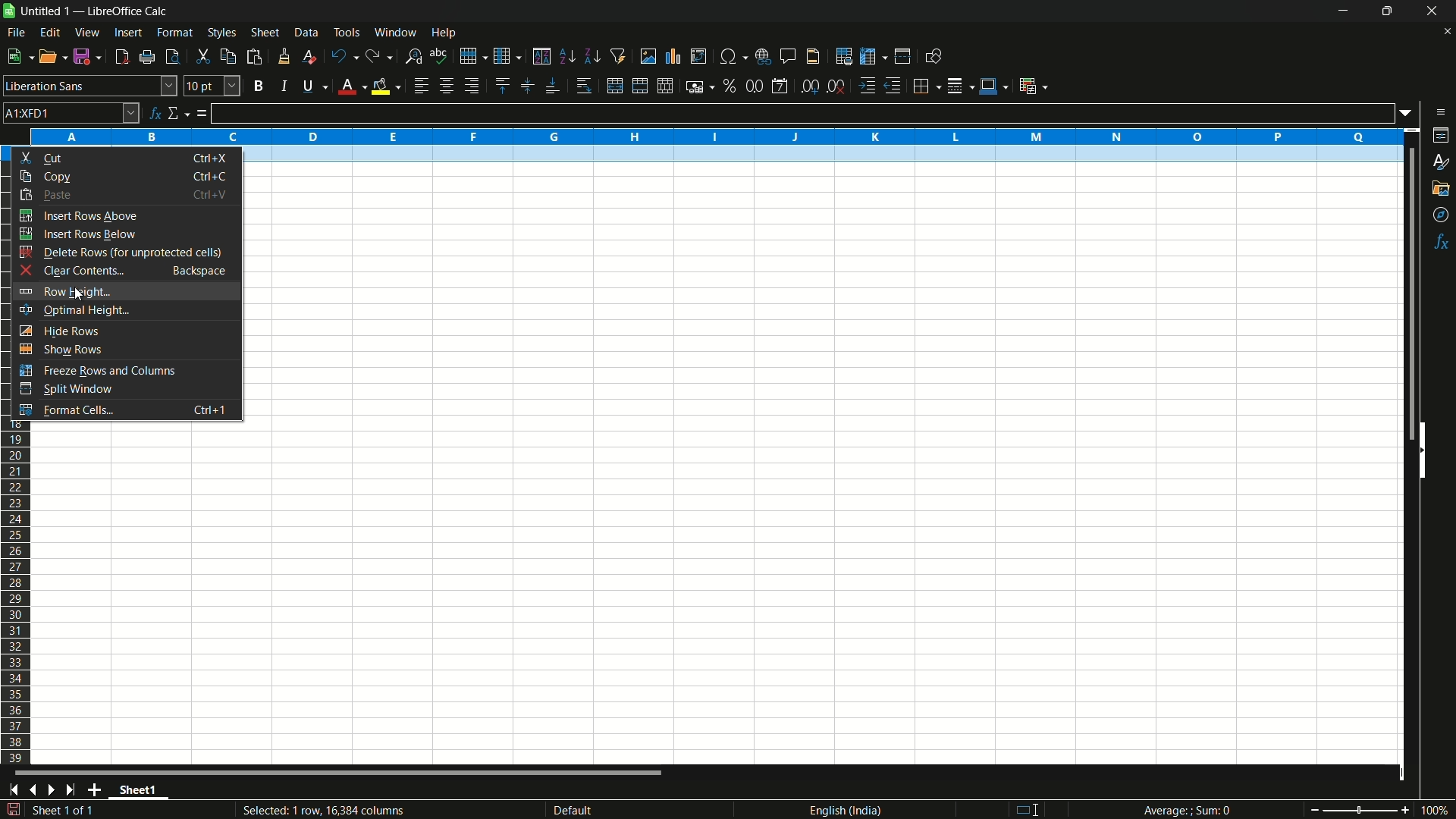 Image resolution: width=1456 pixels, height=819 pixels. Describe the element at coordinates (17, 595) in the screenshot. I see `rows` at that location.